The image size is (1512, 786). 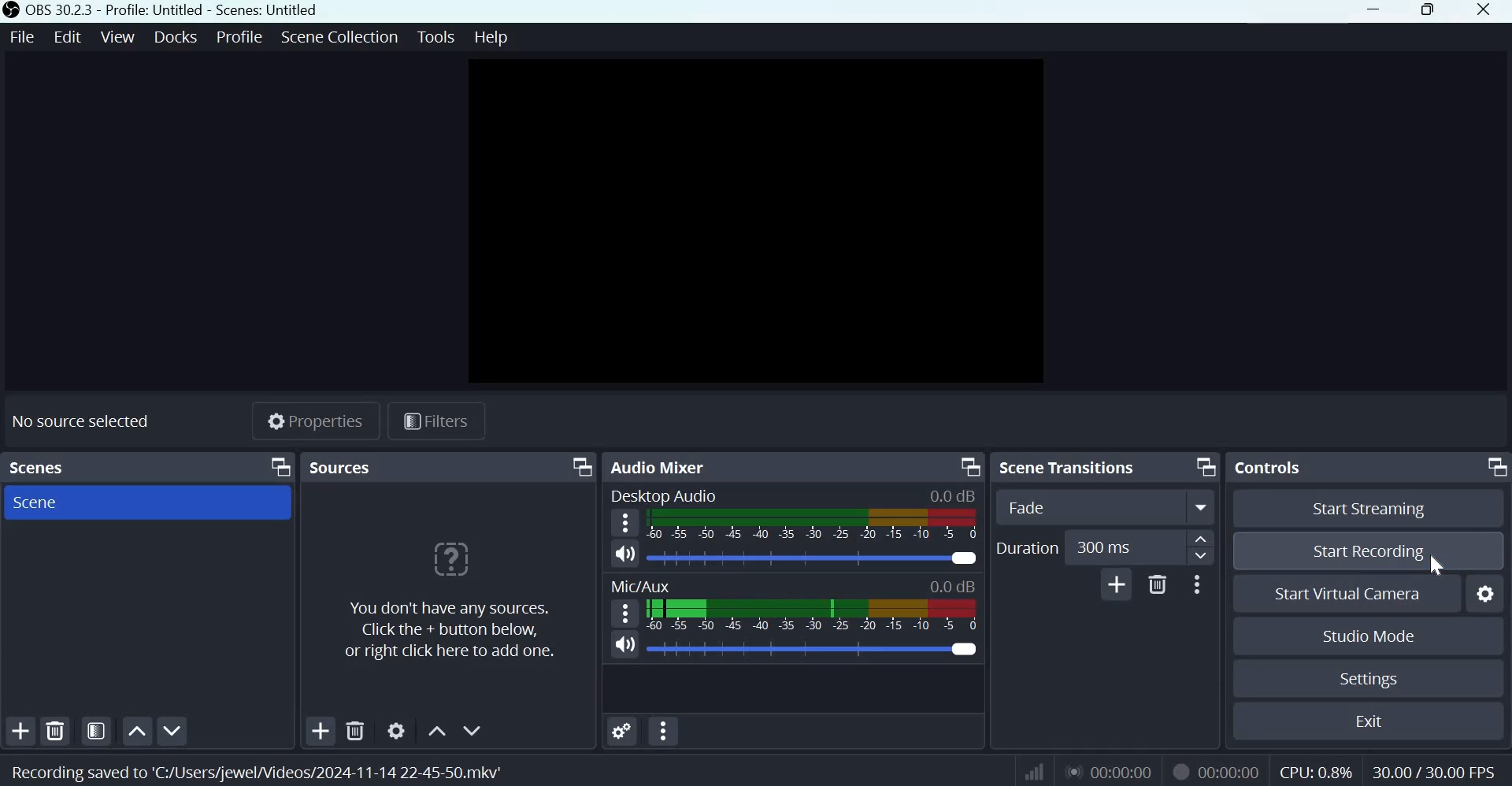 What do you see at coordinates (395, 730) in the screenshot?
I see `Open source properties` at bounding box center [395, 730].